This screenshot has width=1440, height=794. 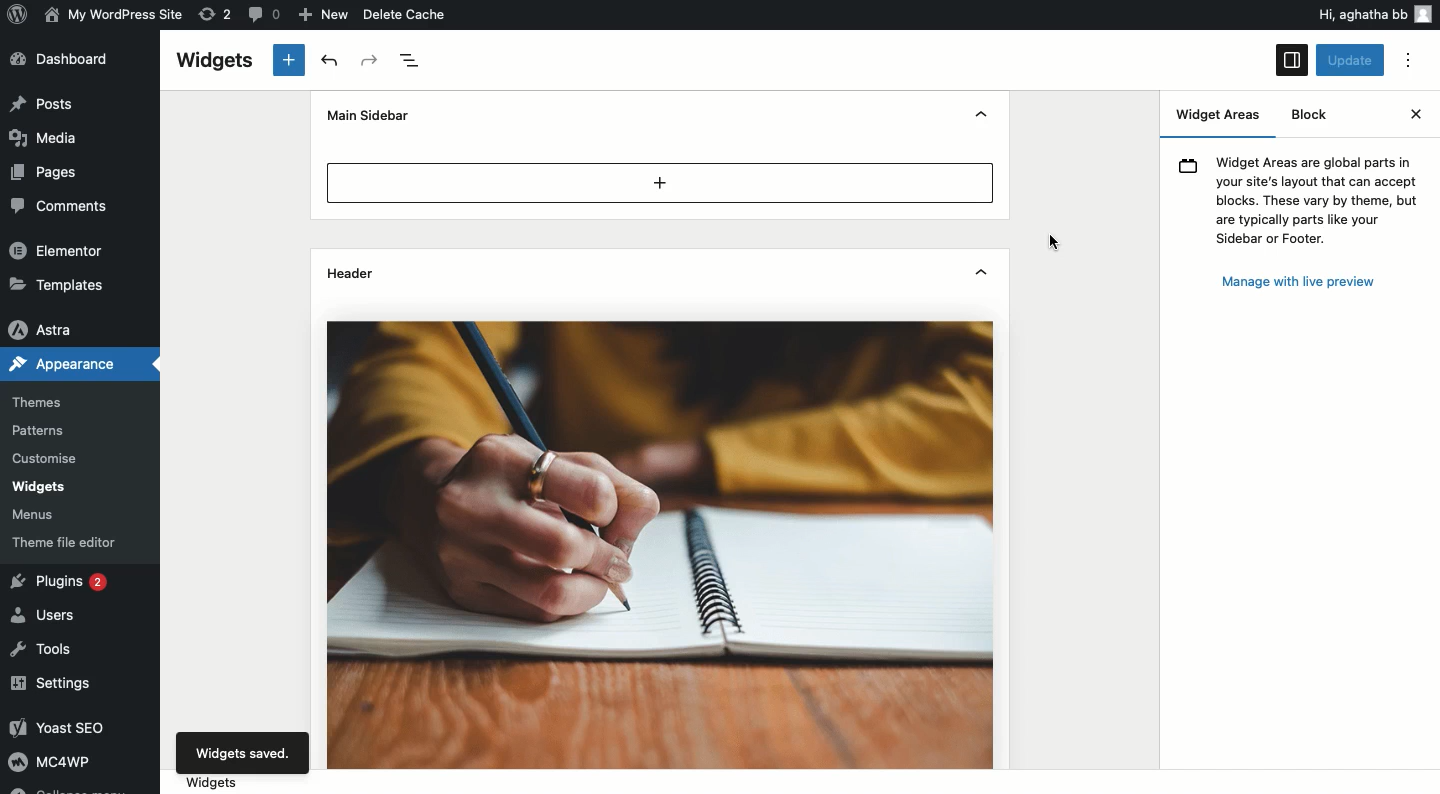 I want to click on Redo, so click(x=371, y=61).